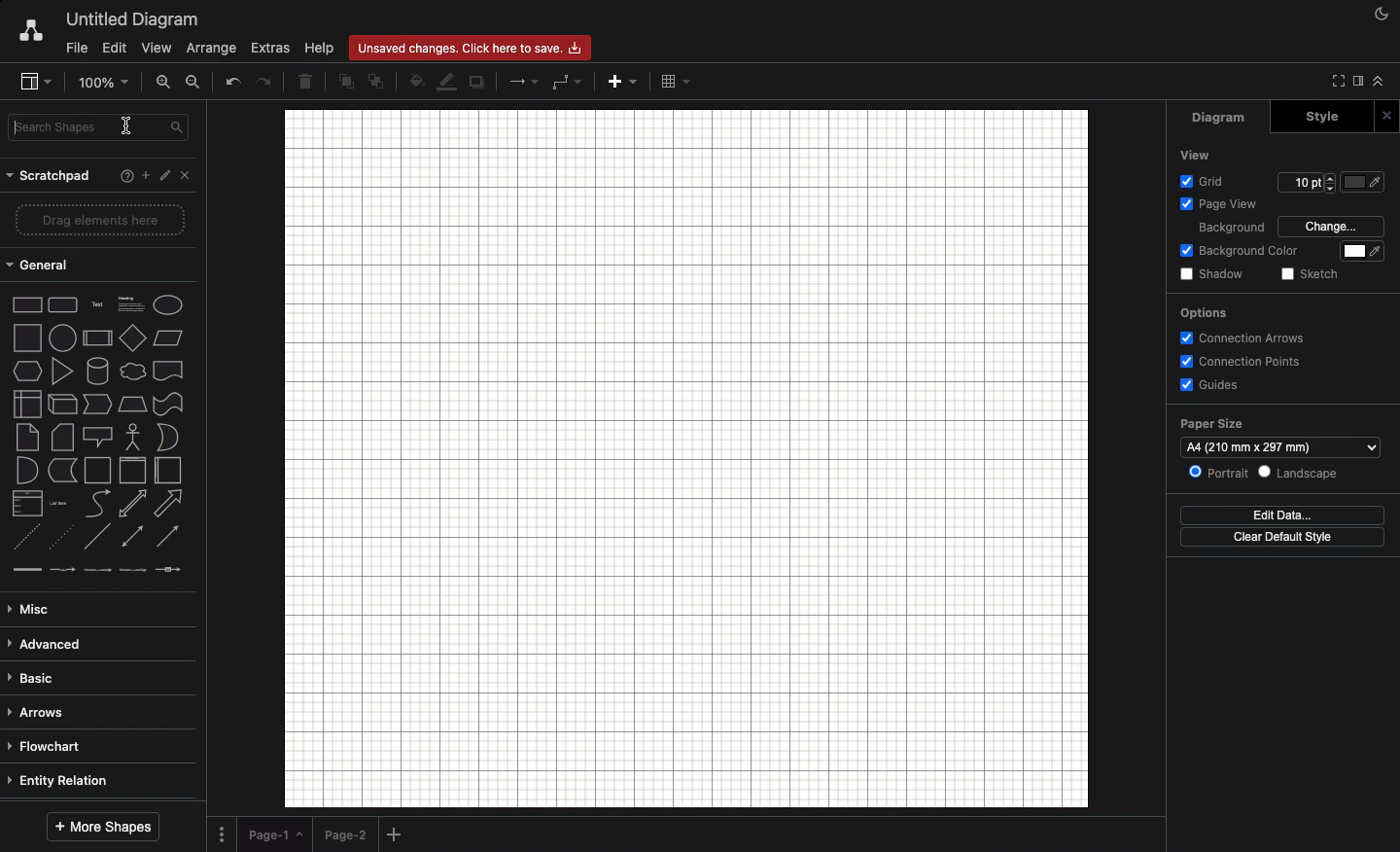 The width and height of the screenshot is (1400, 852). What do you see at coordinates (375, 81) in the screenshot?
I see `To back` at bounding box center [375, 81].